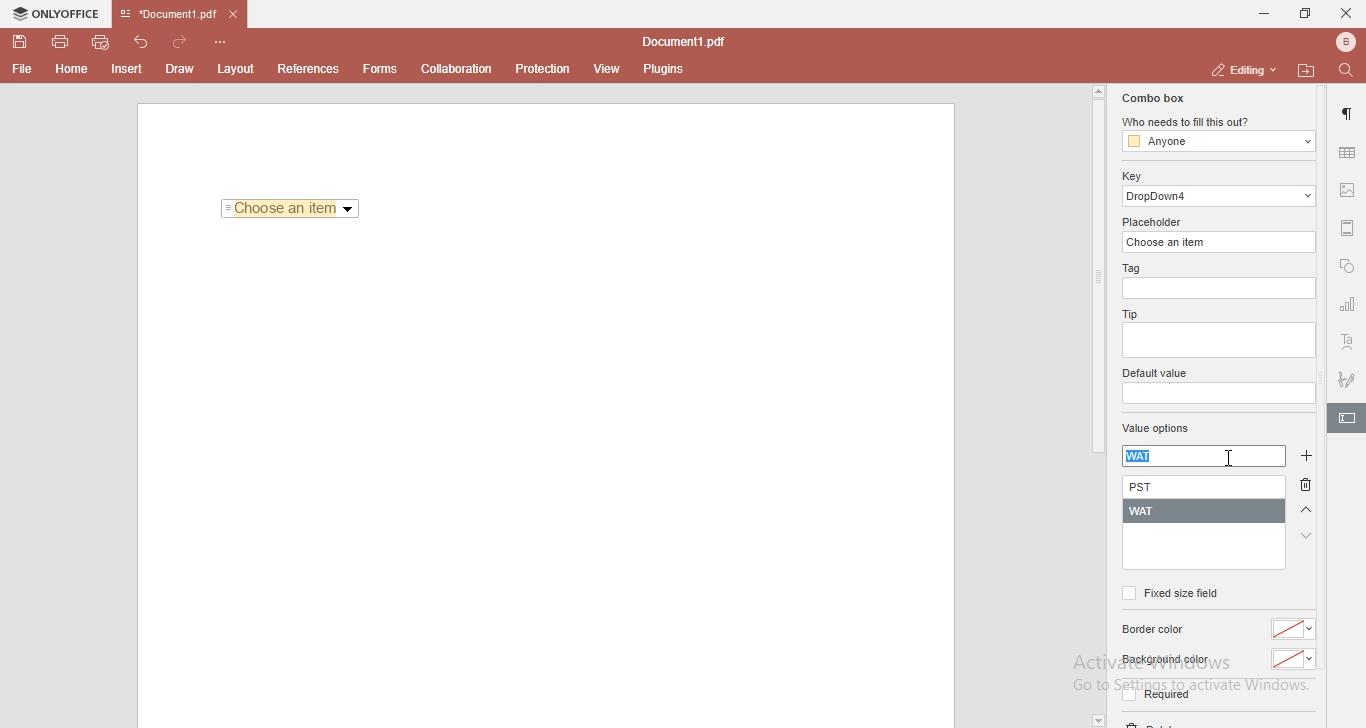 The width and height of the screenshot is (1366, 728). Describe the element at coordinates (380, 69) in the screenshot. I see `forms` at that location.